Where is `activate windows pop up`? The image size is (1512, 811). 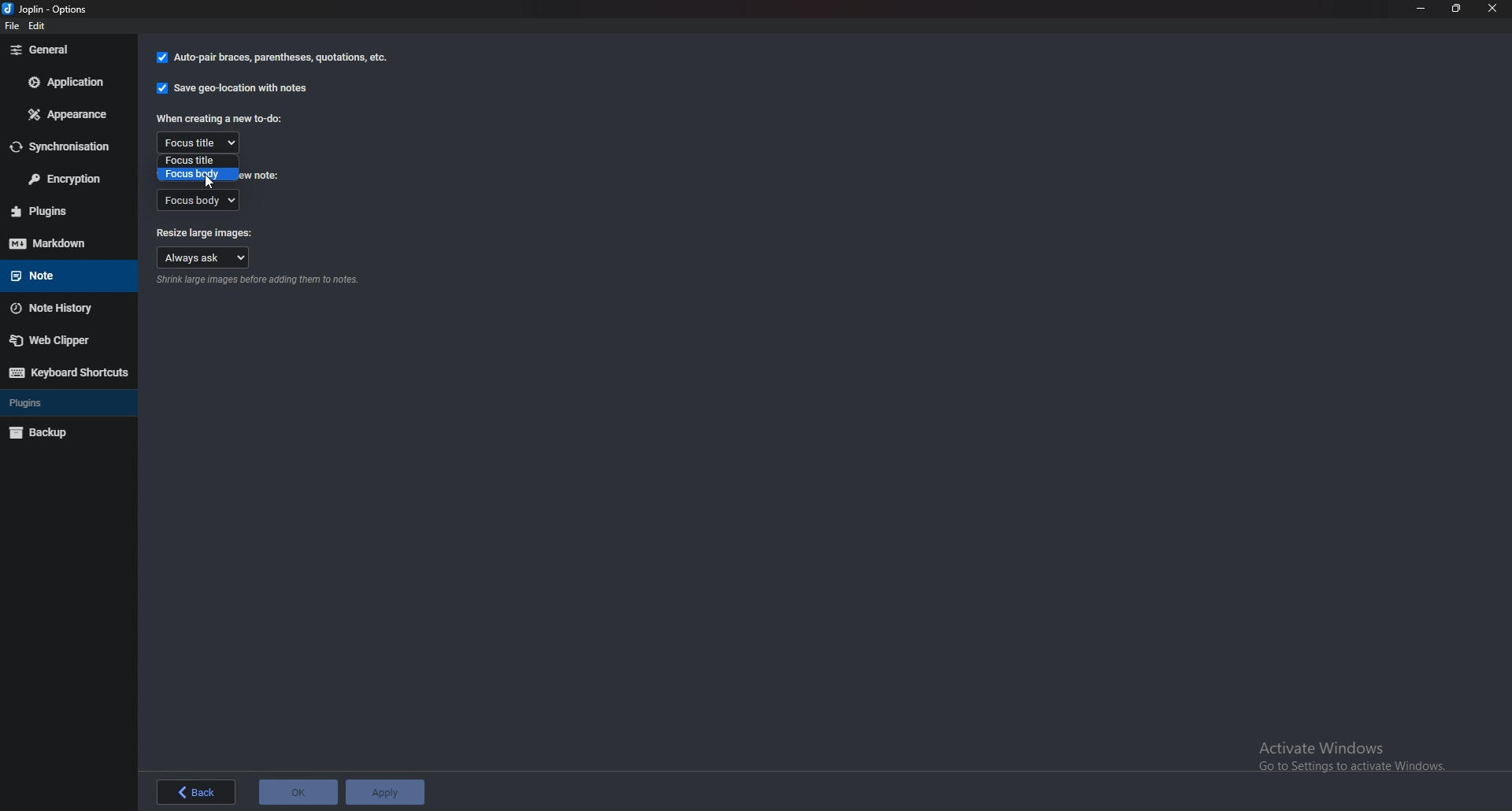 activate windows pop up is located at coordinates (1351, 757).